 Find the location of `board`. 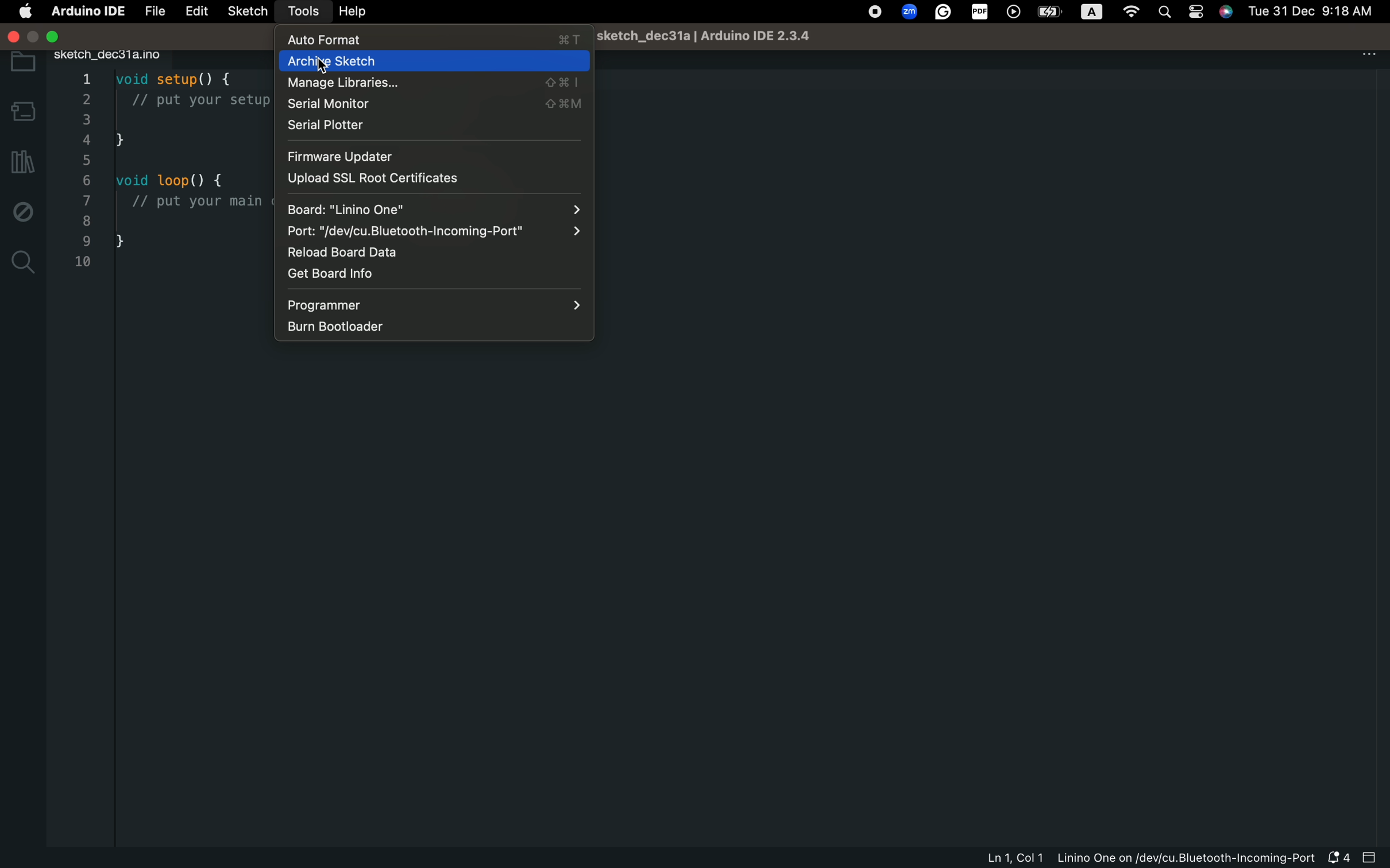

board is located at coordinates (430, 210).